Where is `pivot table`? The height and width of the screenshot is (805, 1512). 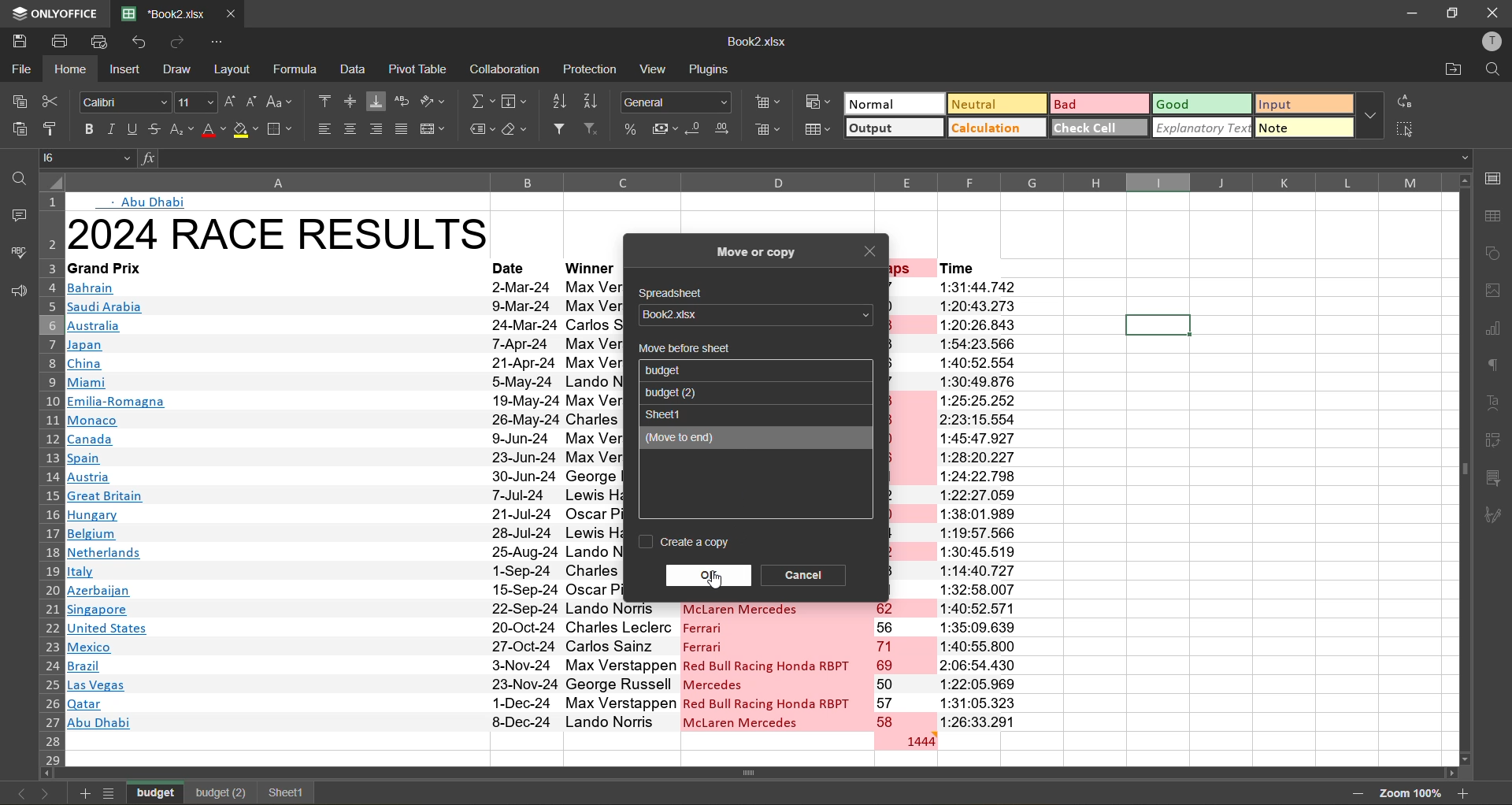 pivot table is located at coordinates (1496, 438).